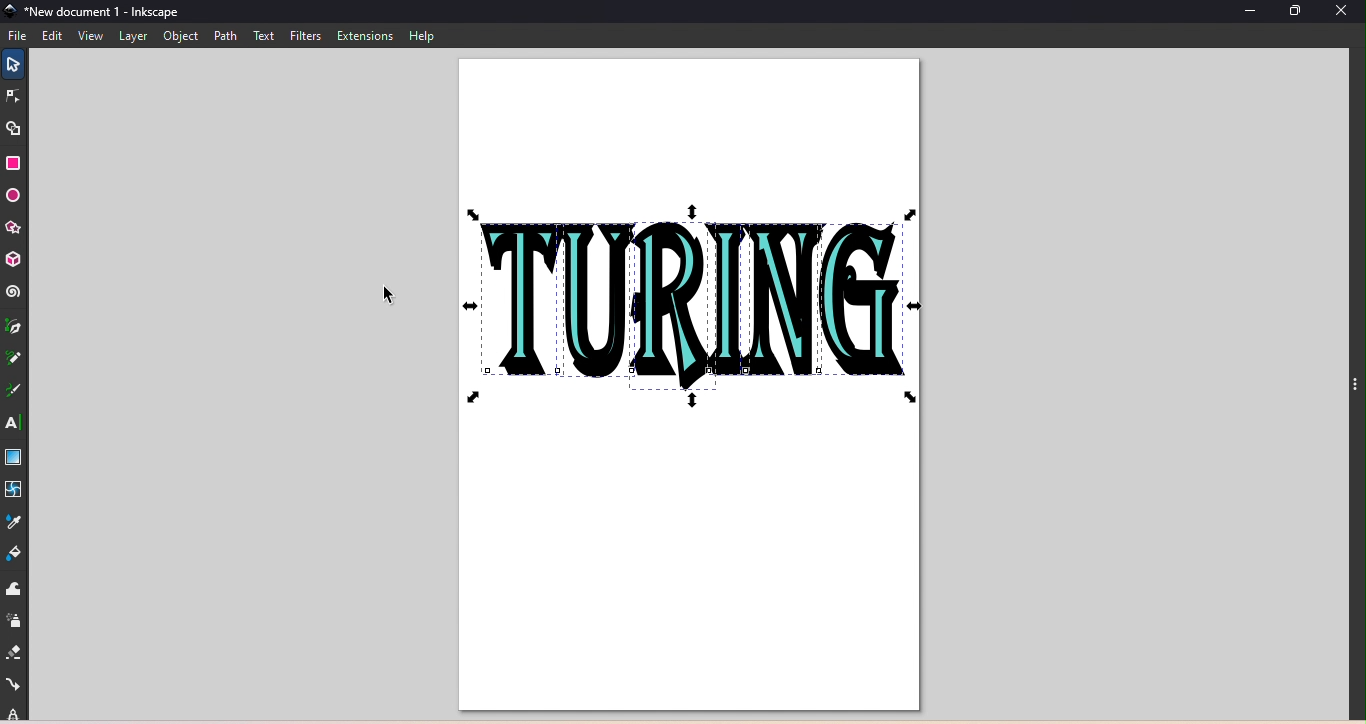  I want to click on Extensions, so click(363, 35).